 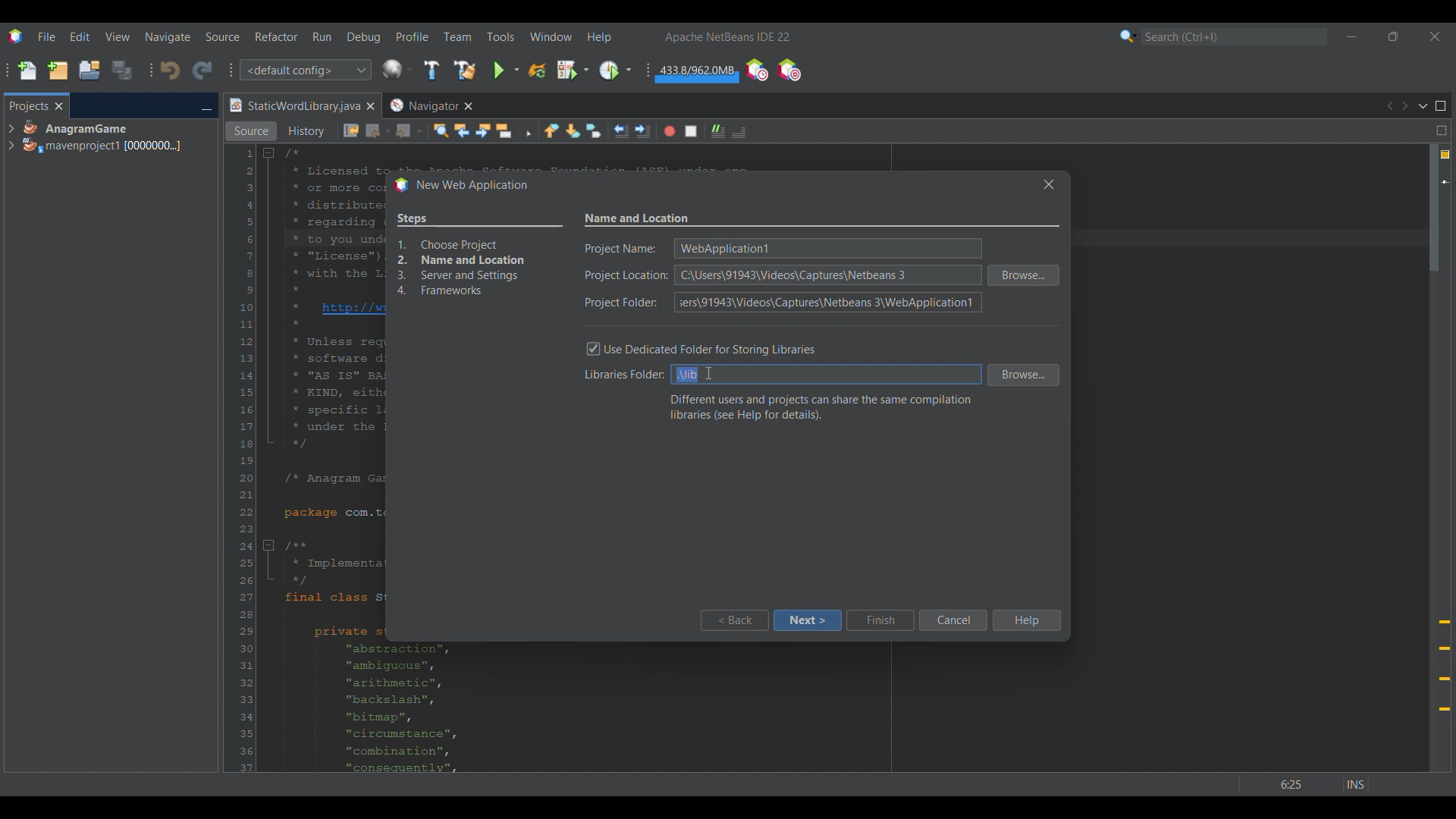 I want to click on Last edit, so click(x=351, y=130).